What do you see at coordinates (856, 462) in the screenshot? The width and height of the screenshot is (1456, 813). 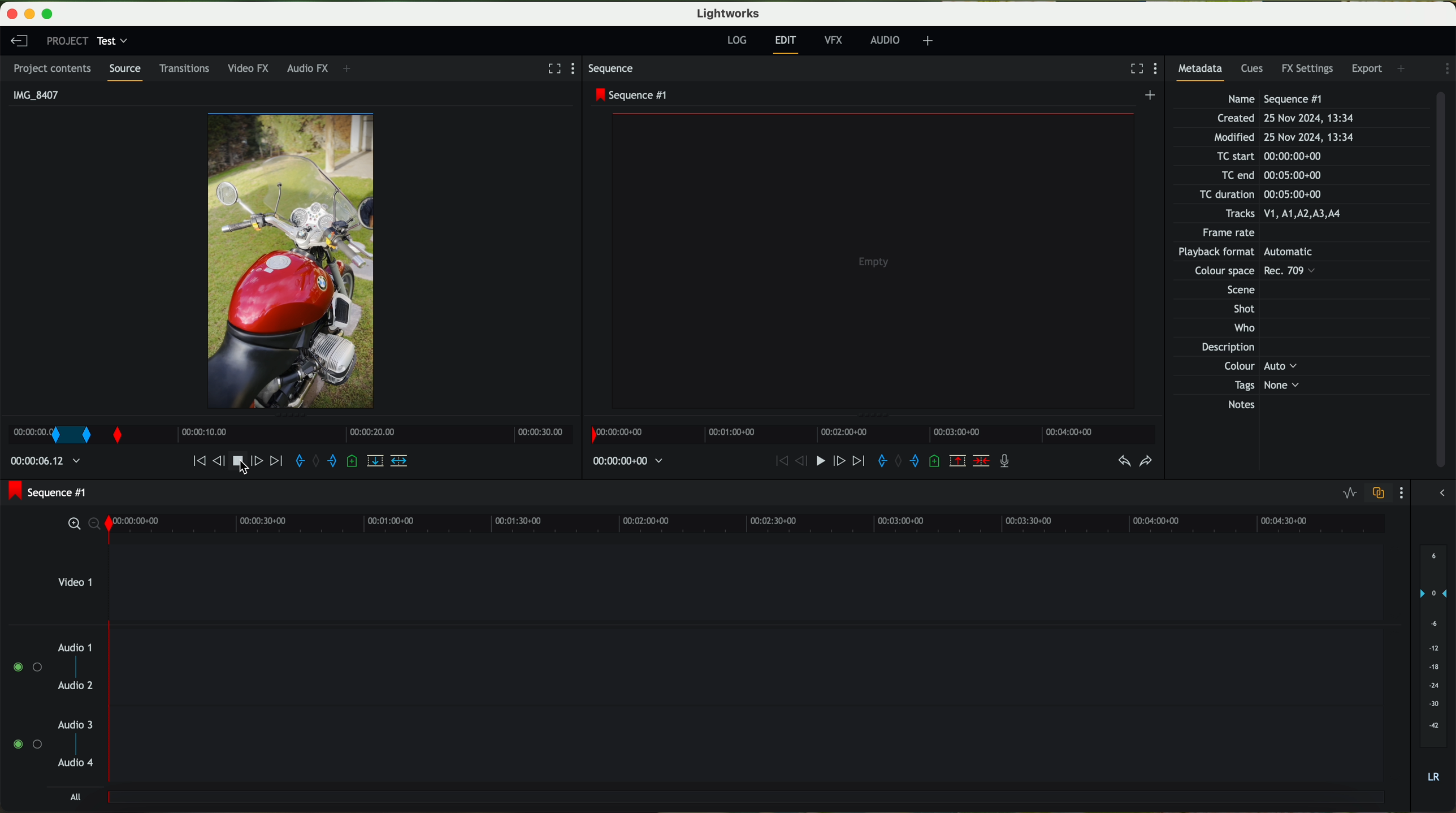 I see `move foward` at bounding box center [856, 462].